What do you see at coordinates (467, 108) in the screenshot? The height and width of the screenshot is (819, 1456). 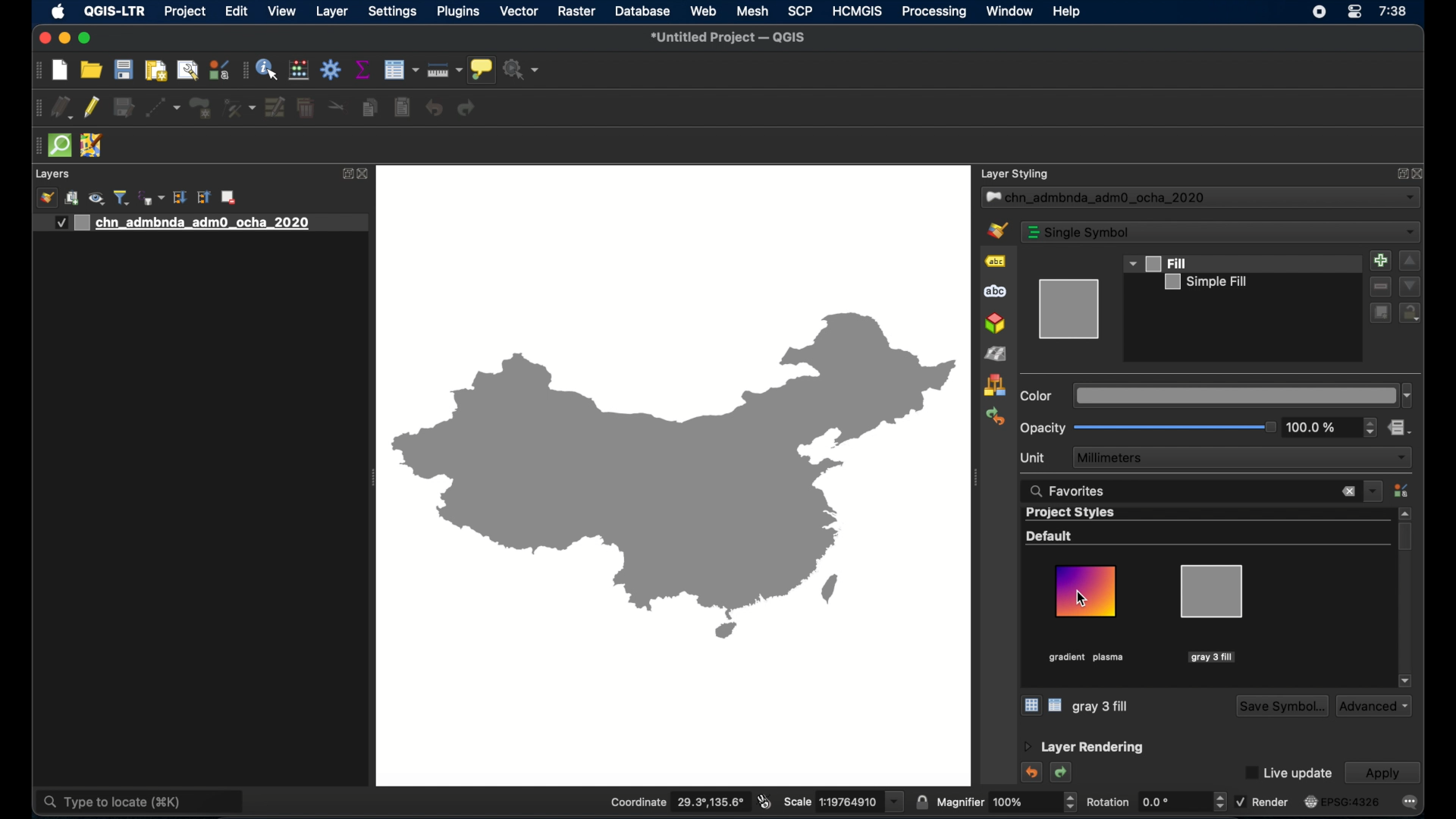 I see `redo` at bounding box center [467, 108].